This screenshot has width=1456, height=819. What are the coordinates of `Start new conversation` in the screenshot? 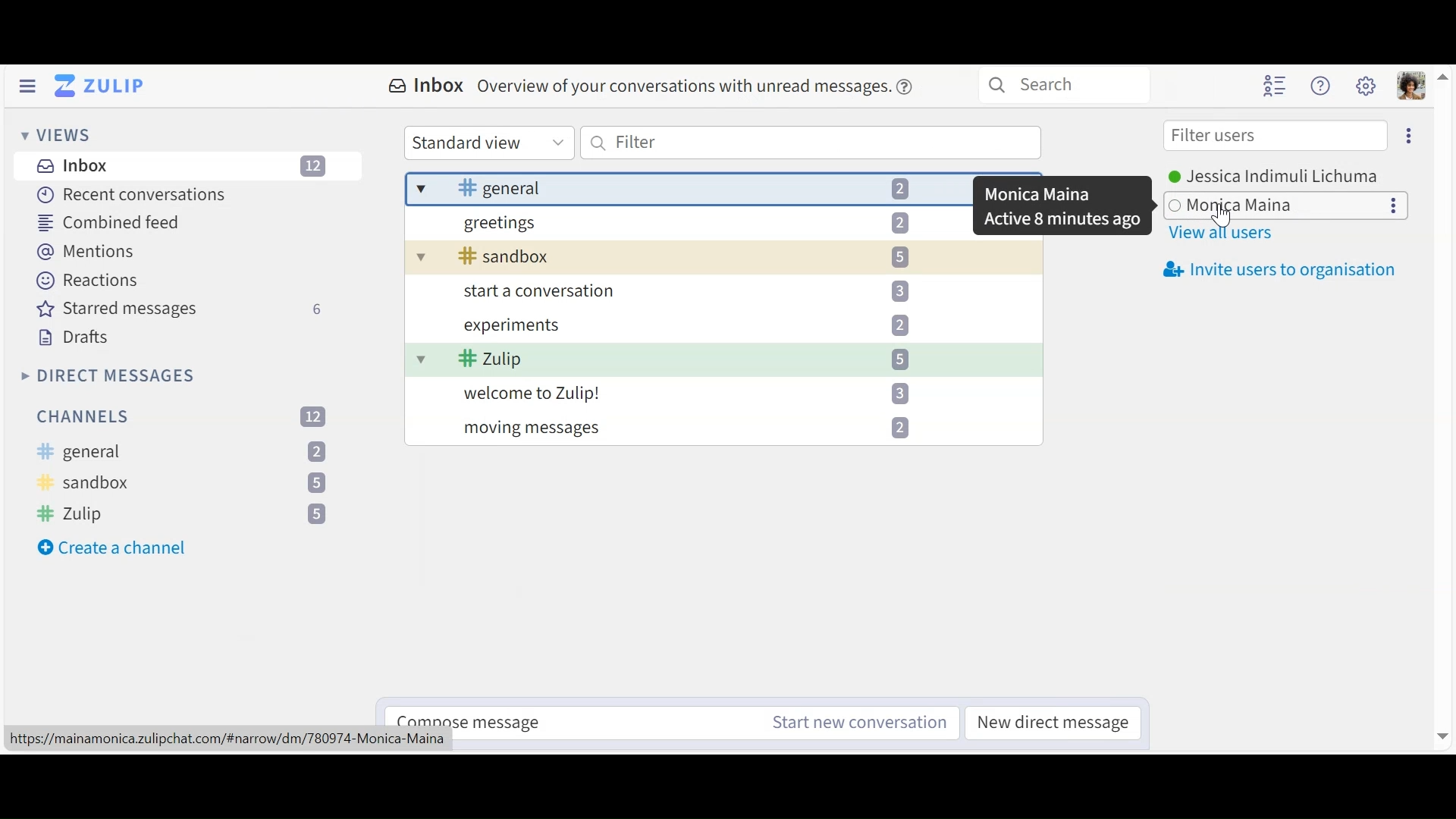 It's located at (862, 724).